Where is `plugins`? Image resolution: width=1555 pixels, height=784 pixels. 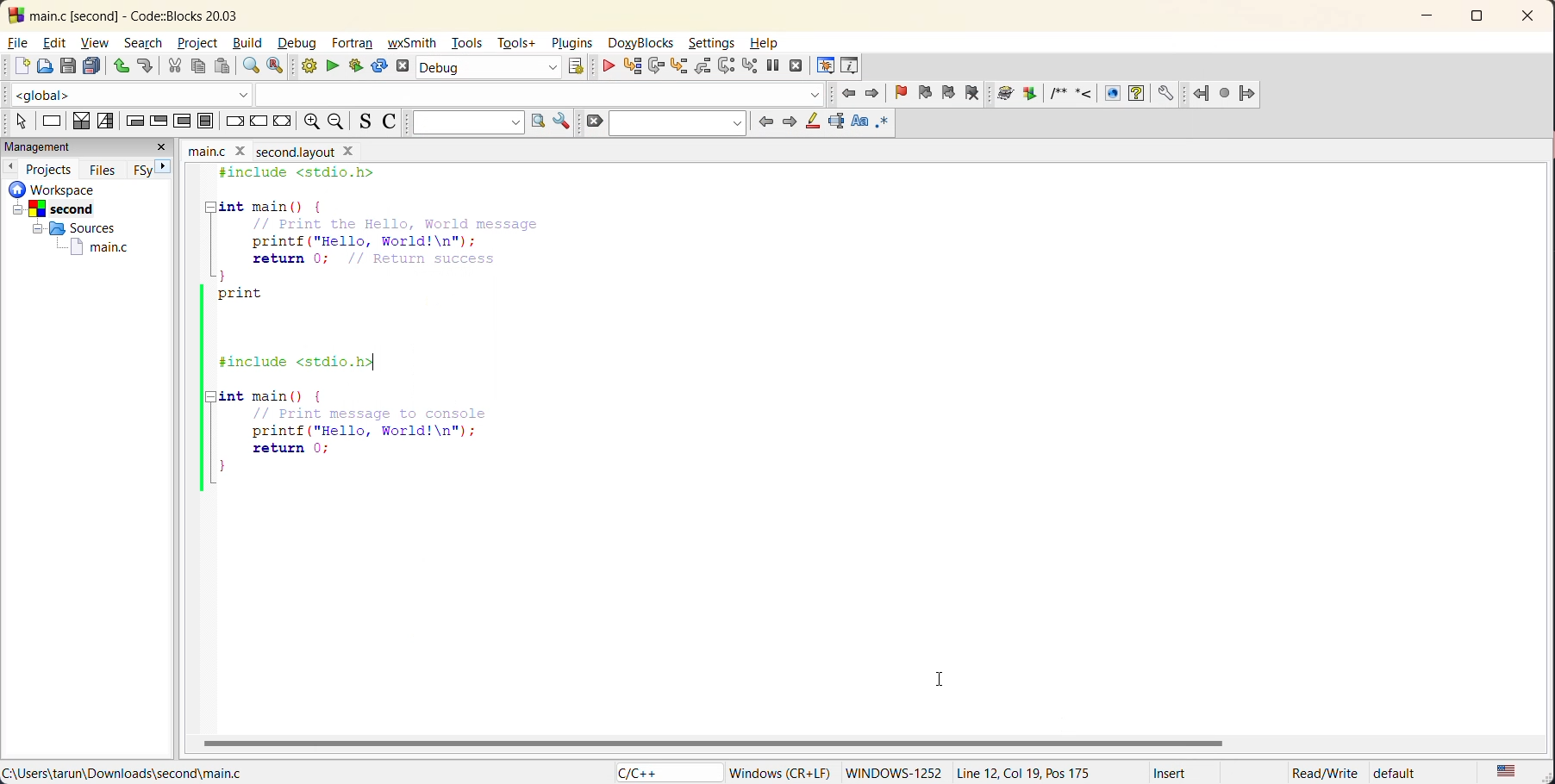 plugins is located at coordinates (570, 42).